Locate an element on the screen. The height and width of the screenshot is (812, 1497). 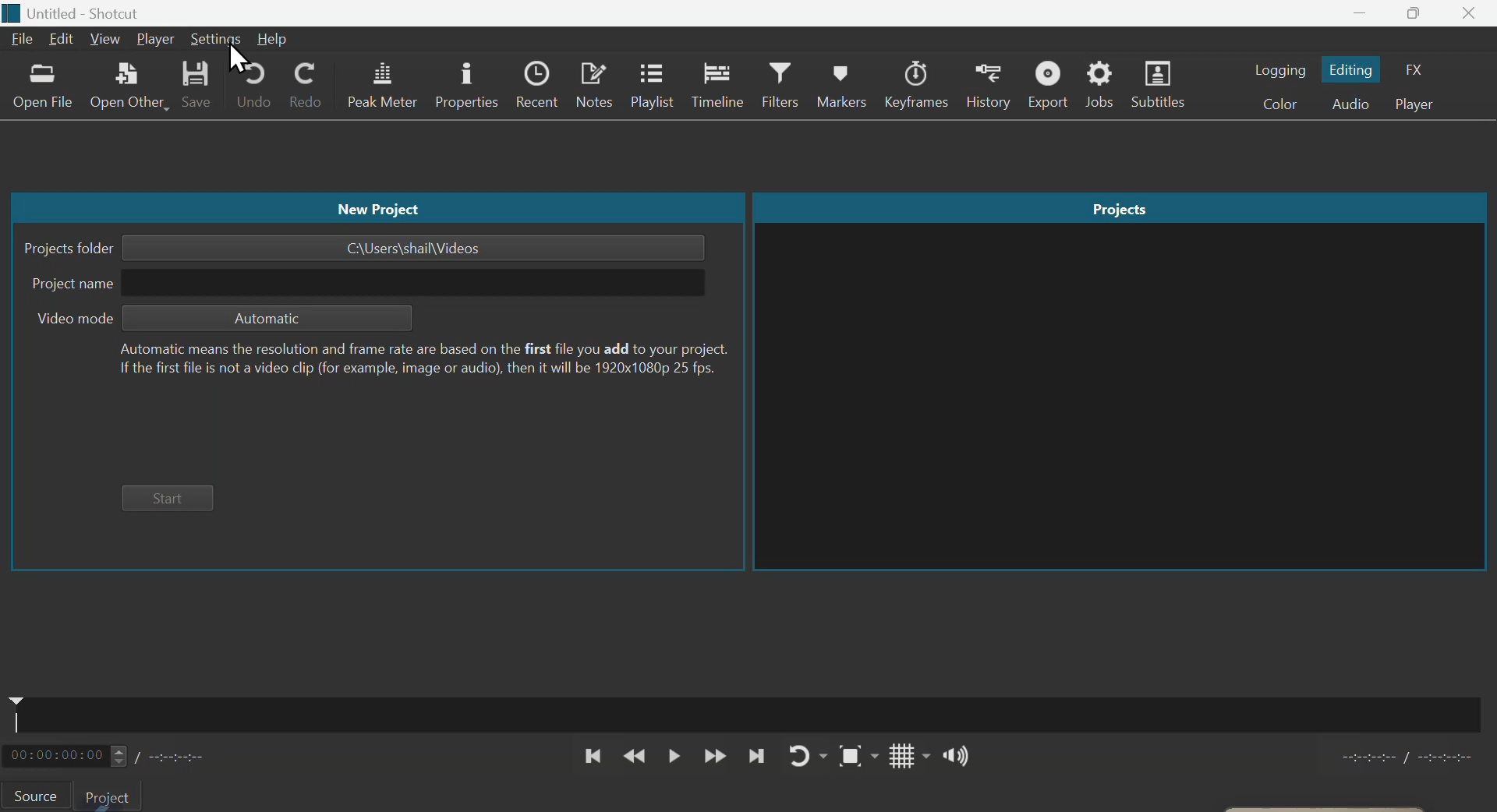
Keyframes is located at coordinates (918, 85).